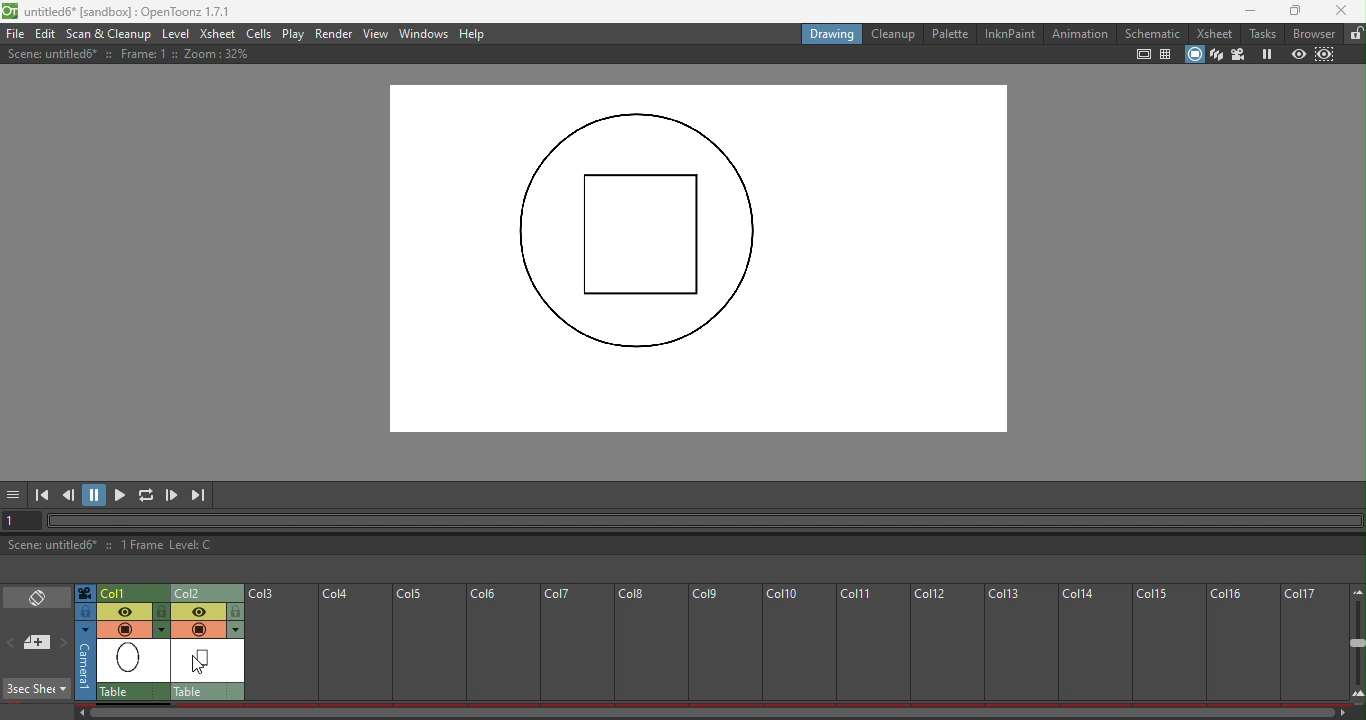 This screenshot has width=1366, height=720. I want to click on Lock toggle, so click(163, 612).